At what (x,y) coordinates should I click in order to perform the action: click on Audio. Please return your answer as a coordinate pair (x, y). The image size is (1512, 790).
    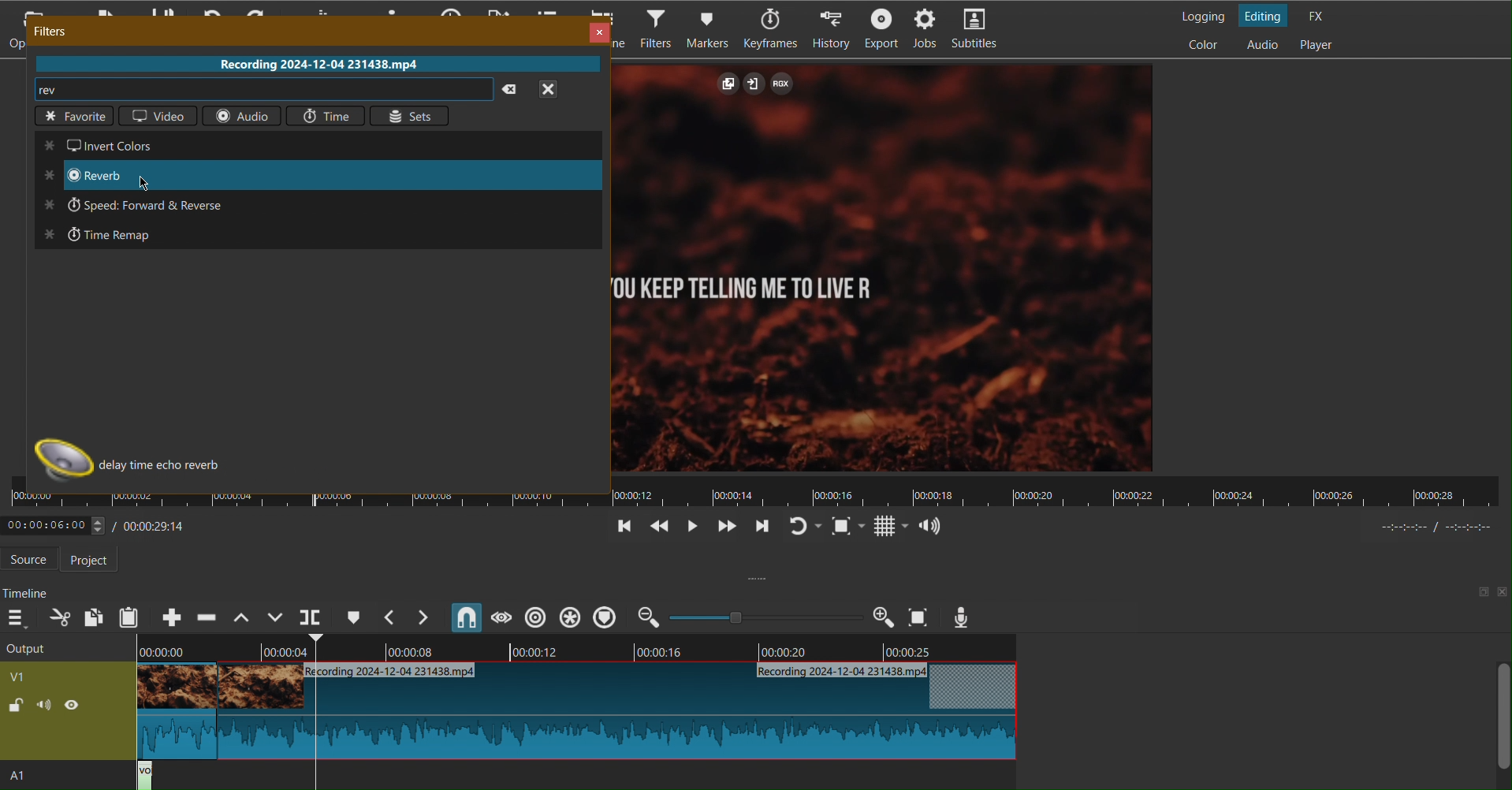
    Looking at the image, I should click on (1261, 45).